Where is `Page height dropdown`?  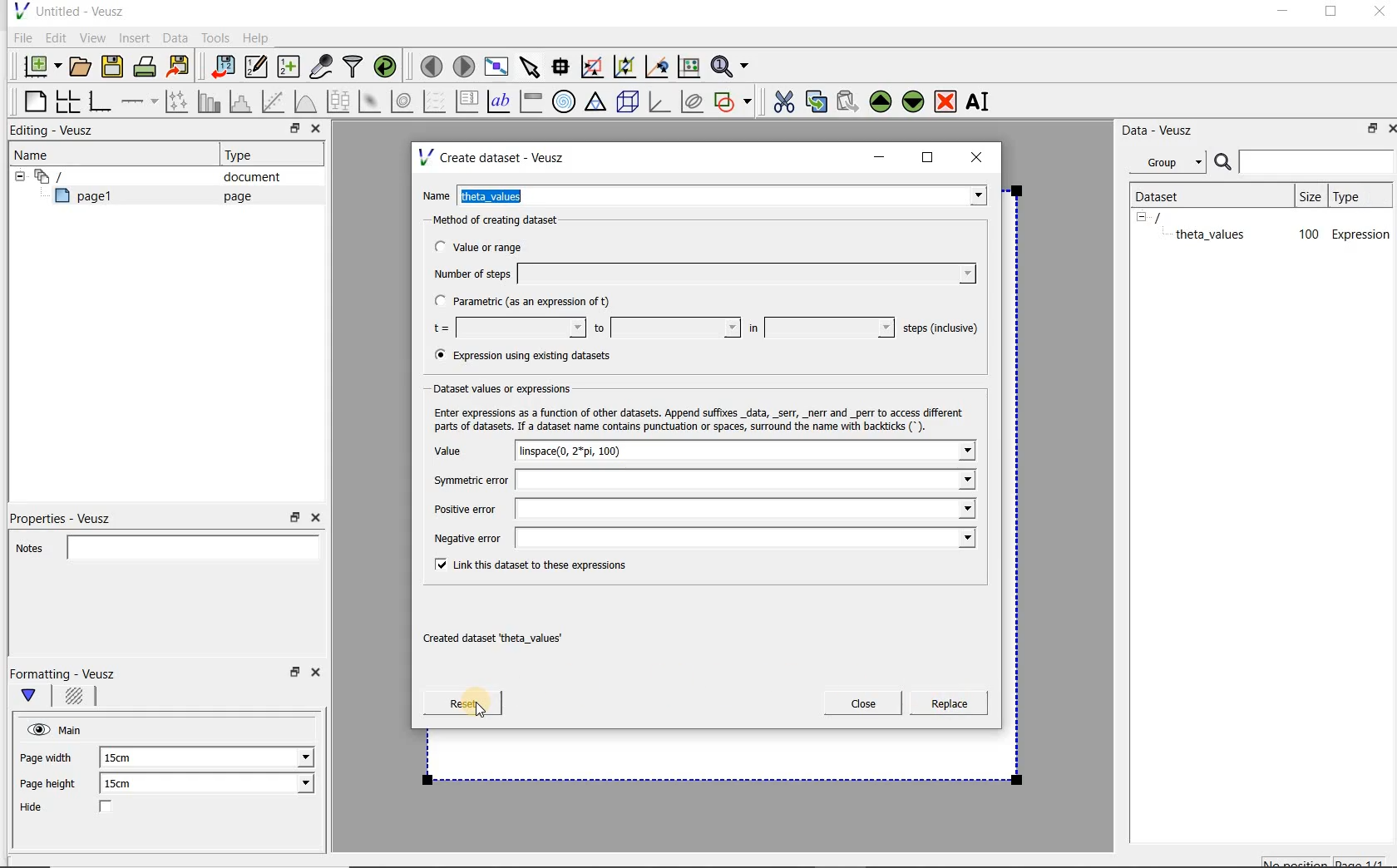 Page height dropdown is located at coordinates (294, 785).